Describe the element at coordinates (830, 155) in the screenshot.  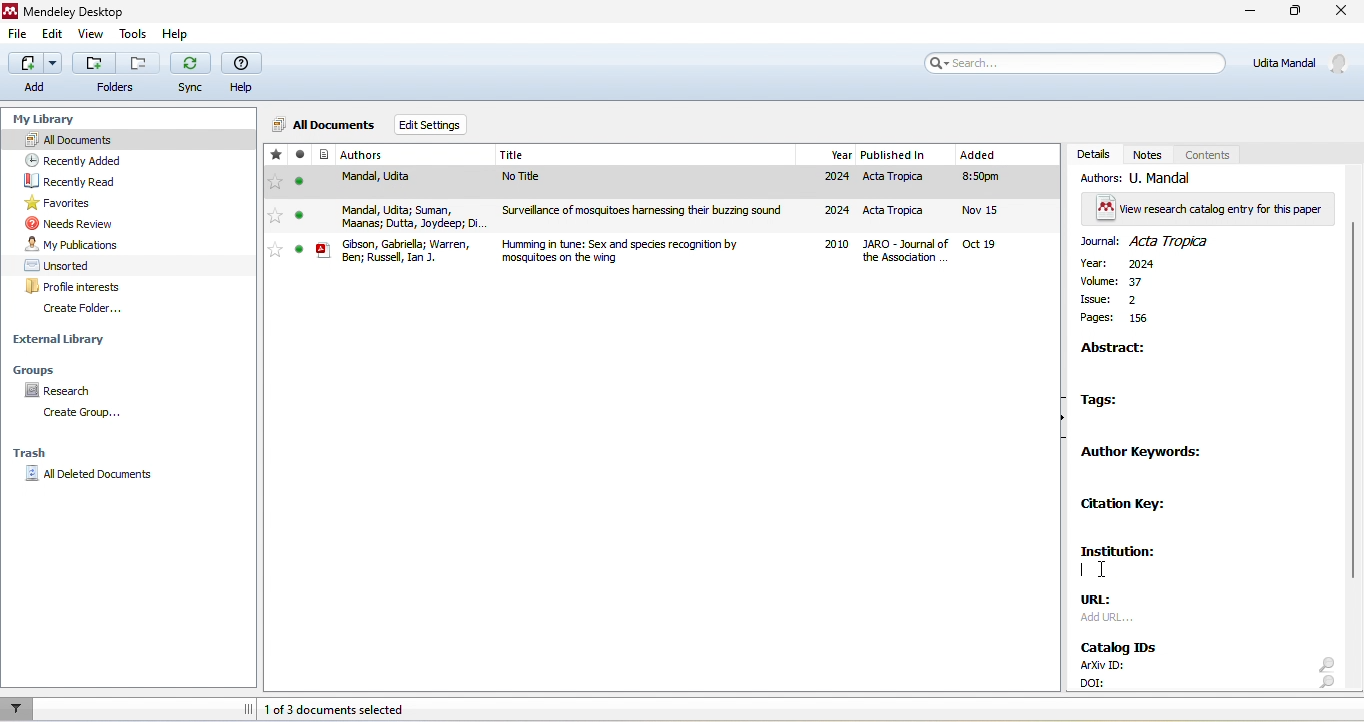
I see `year` at that location.